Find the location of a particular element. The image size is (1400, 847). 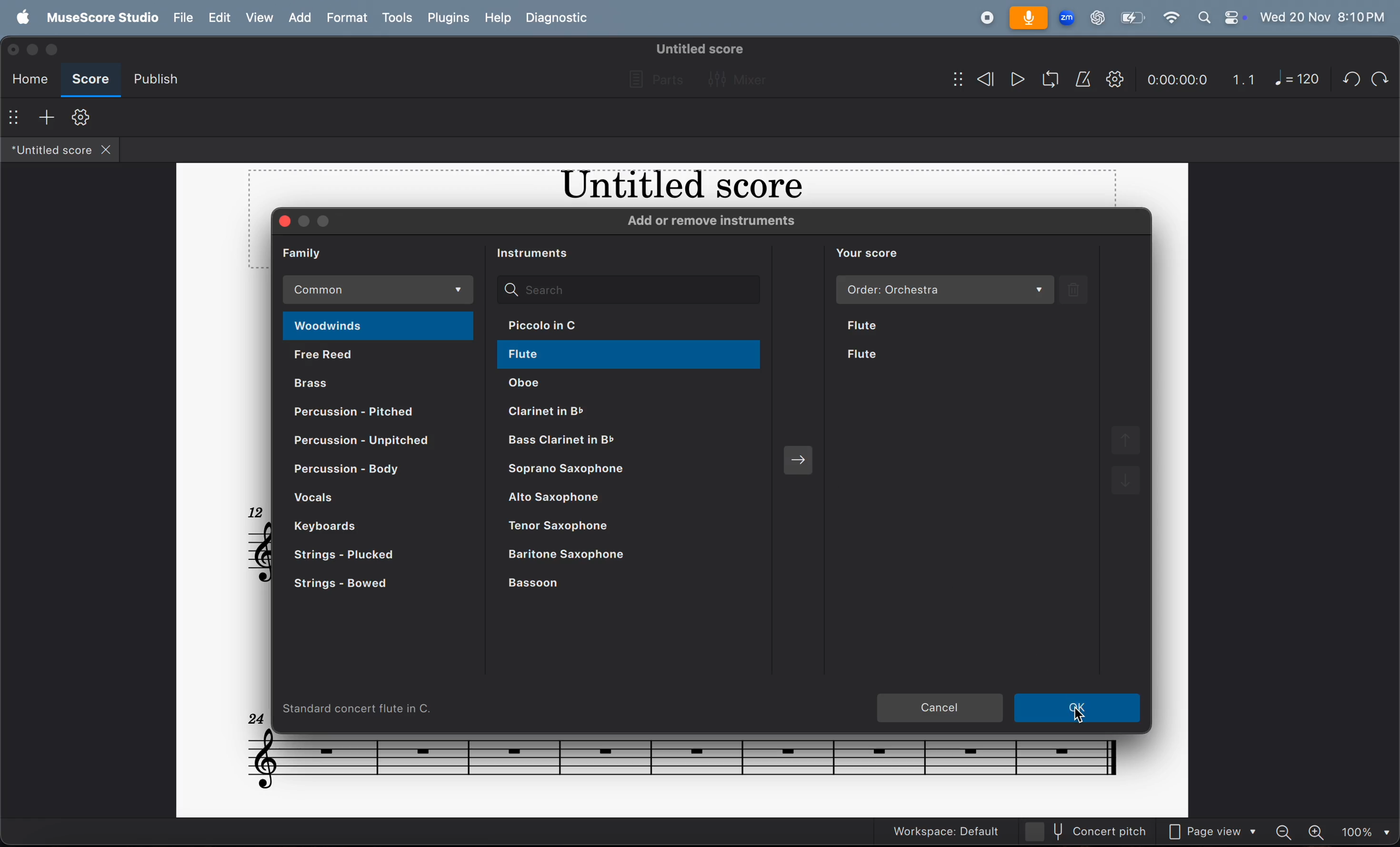

maximize is located at coordinates (56, 49).